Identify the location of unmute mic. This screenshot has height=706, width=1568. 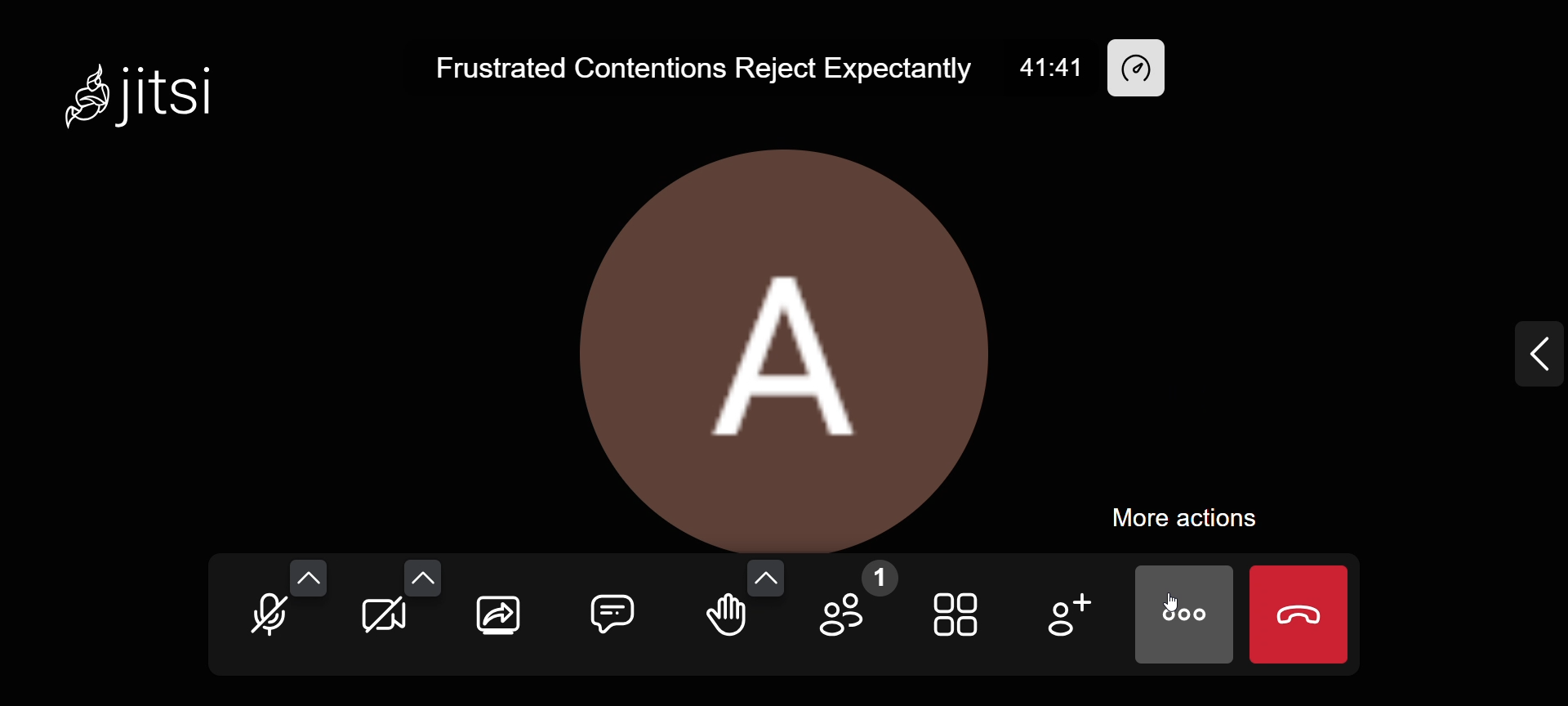
(268, 614).